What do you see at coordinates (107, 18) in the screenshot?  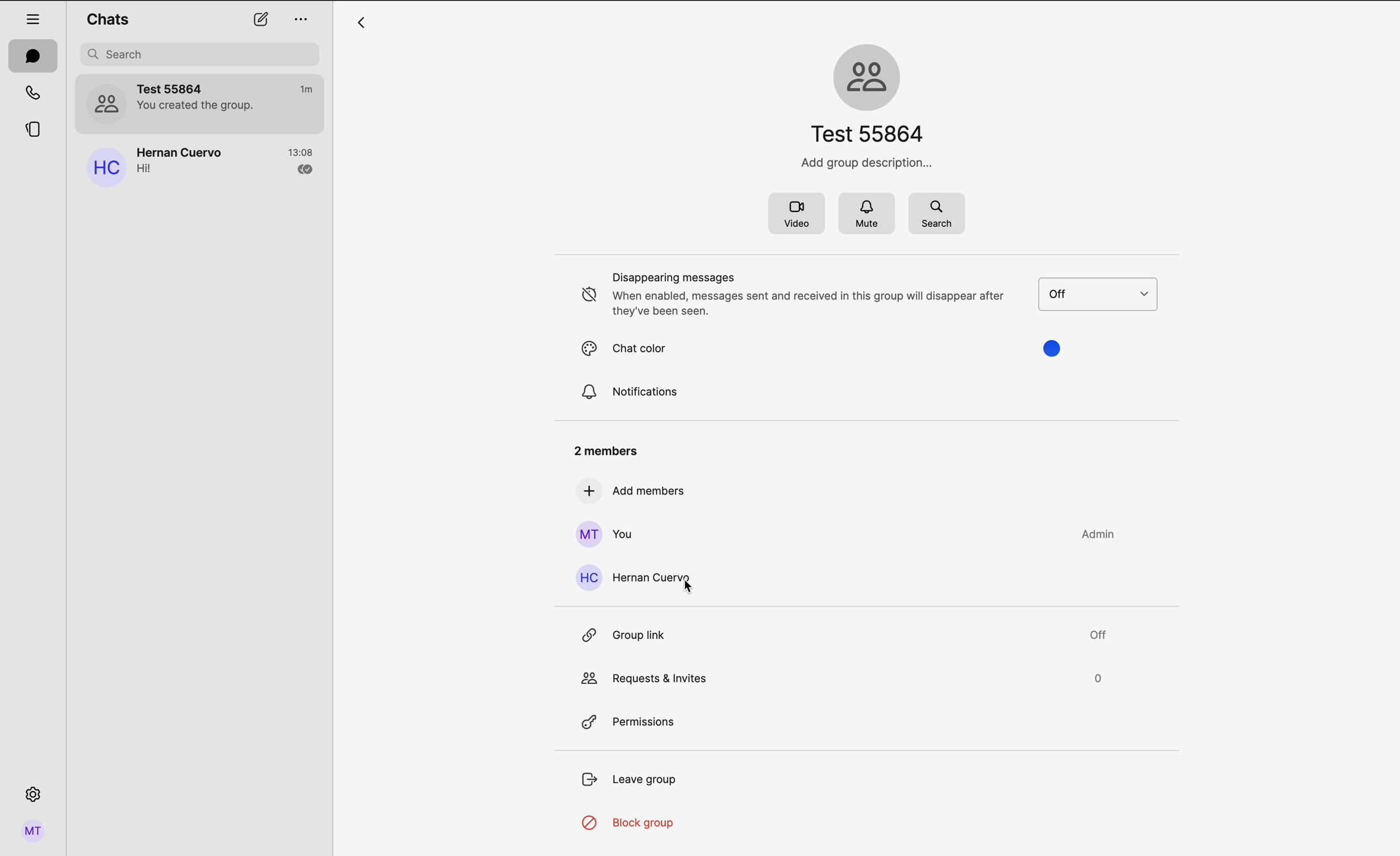 I see `chats` at bounding box center [107, 18].